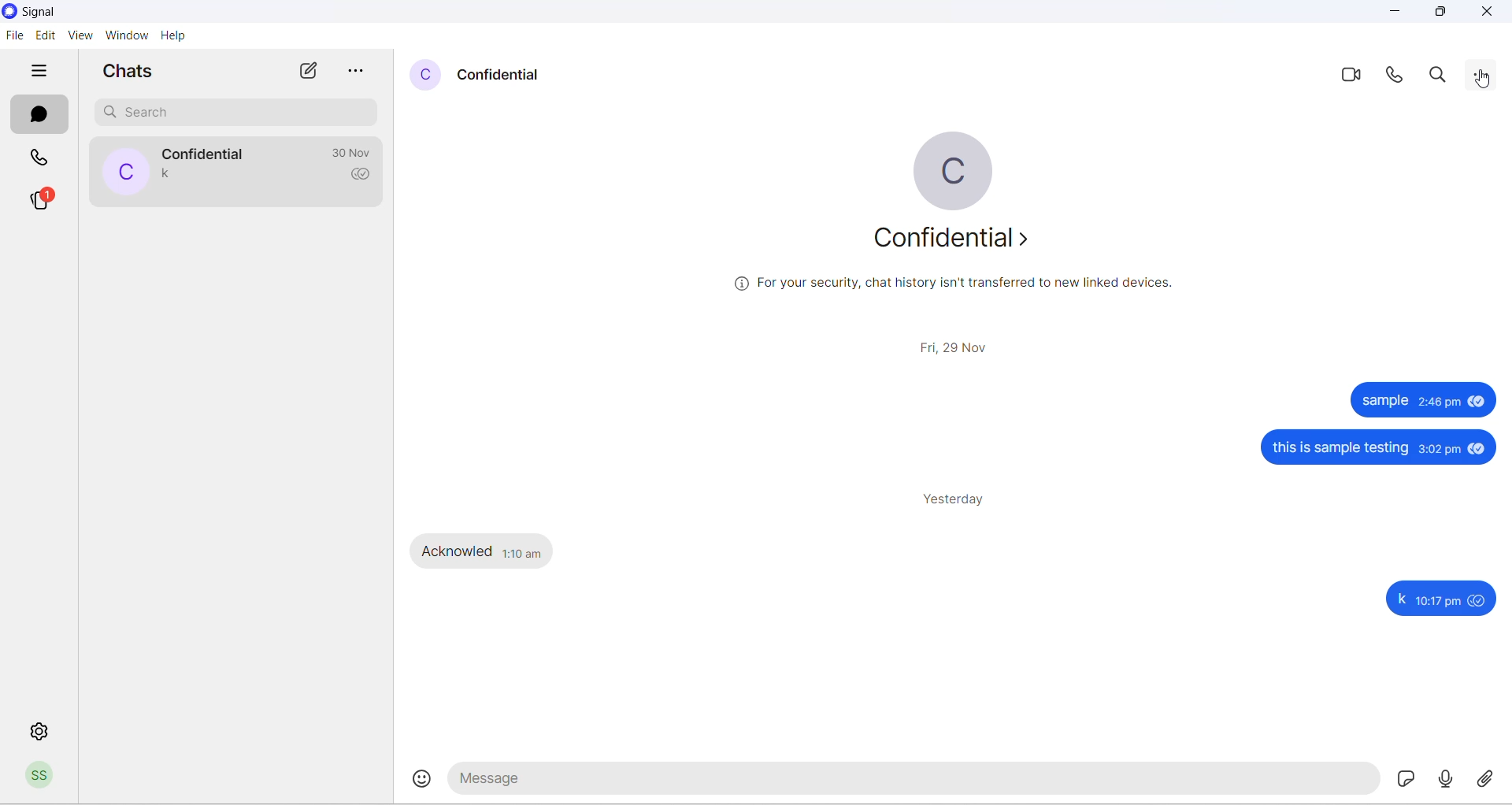 This screenshot has width=1512, height=805. What do you see at coordinates (961, 291) in the screenshot?
I see `security related text` at bounding box center [961, 291].